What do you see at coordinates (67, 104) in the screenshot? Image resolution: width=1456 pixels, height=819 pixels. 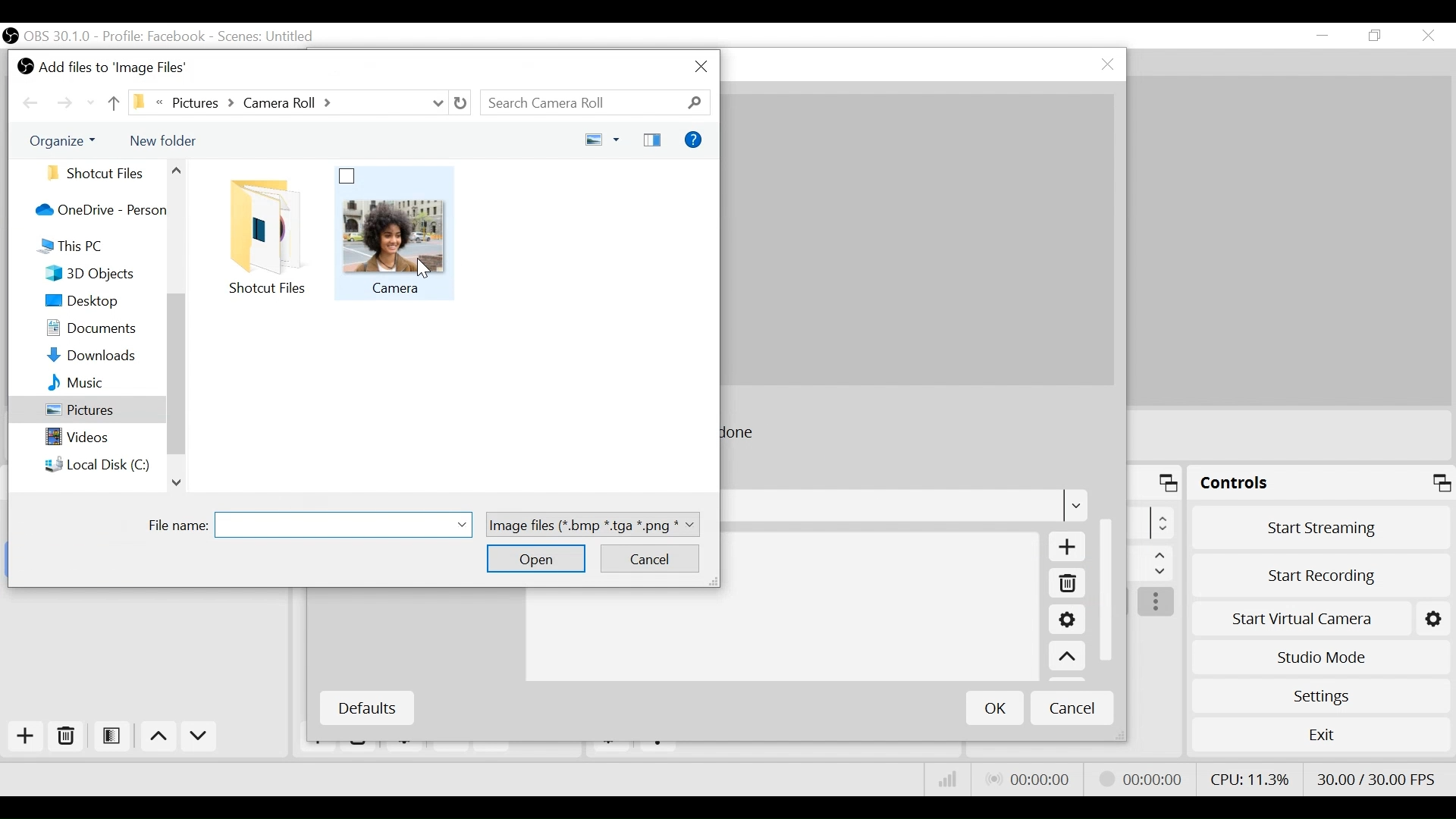 I see `Move Forward` at bounding box center [67, 104].